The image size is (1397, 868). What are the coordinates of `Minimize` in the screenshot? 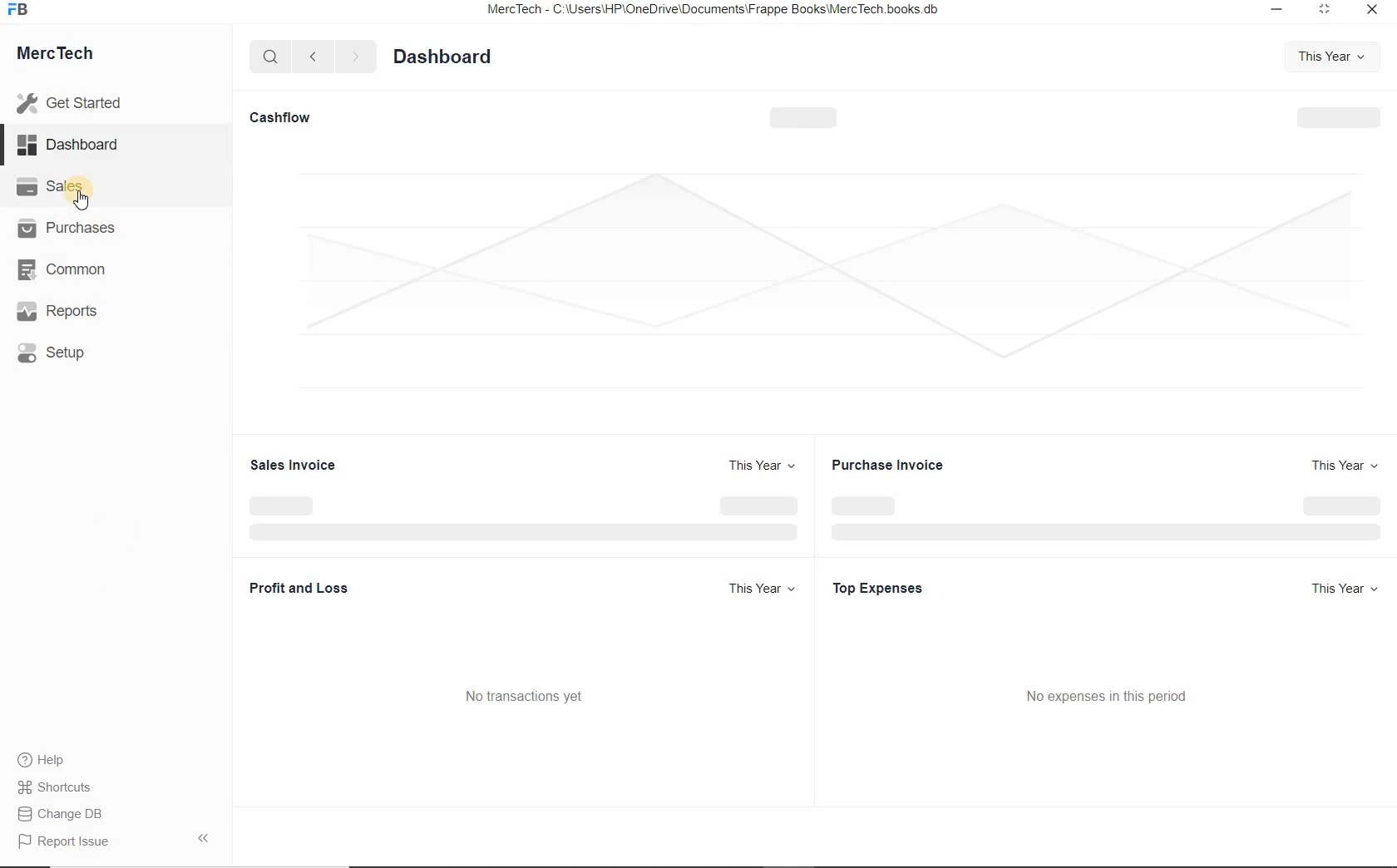 It's located at (1280, 12).